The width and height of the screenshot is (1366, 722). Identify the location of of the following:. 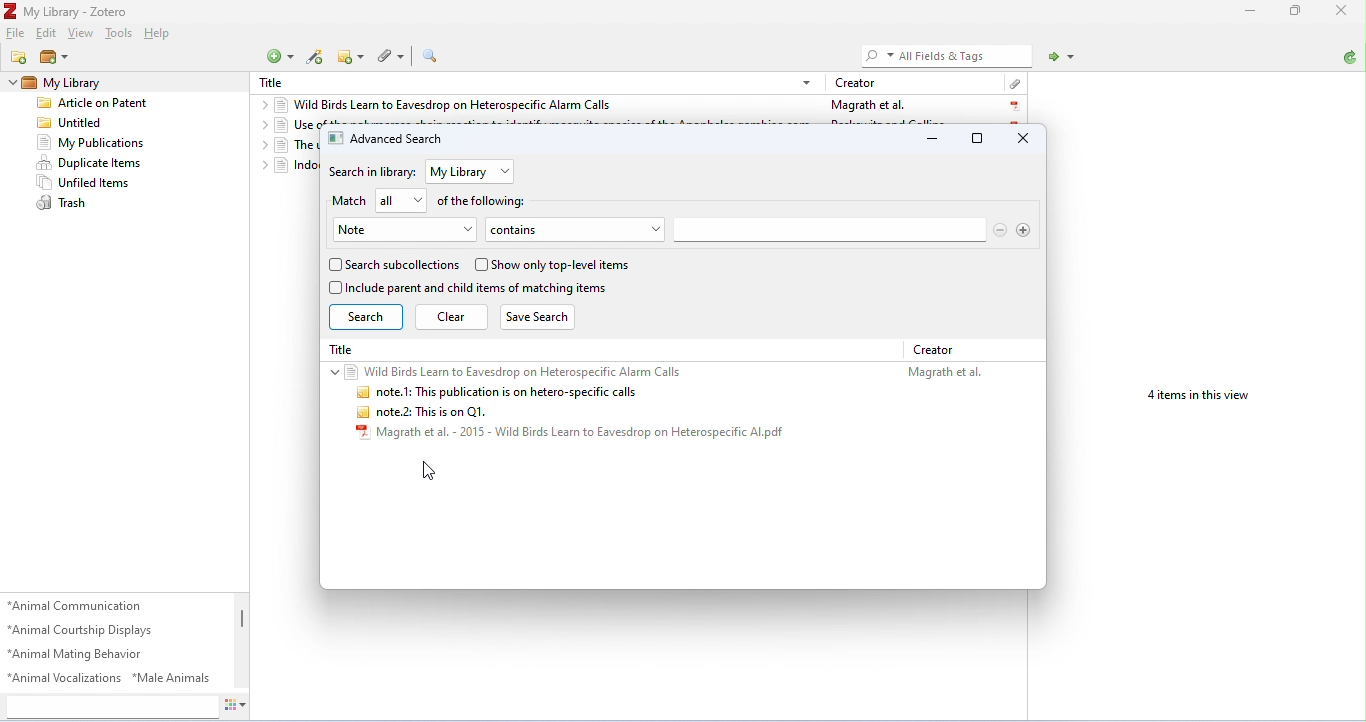
(486, 202).